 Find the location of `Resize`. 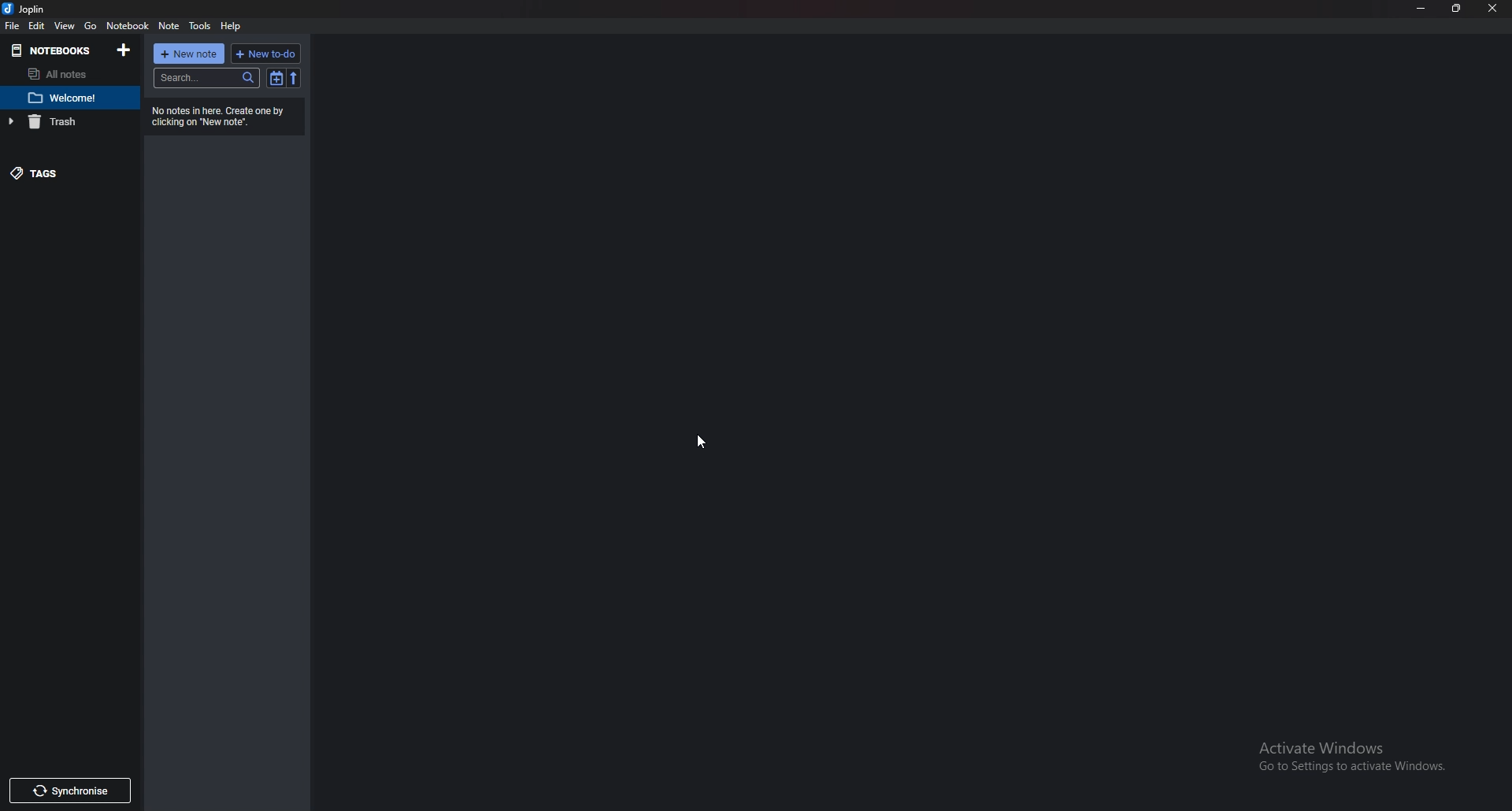

Resize is located at coordinates (1457, 9).